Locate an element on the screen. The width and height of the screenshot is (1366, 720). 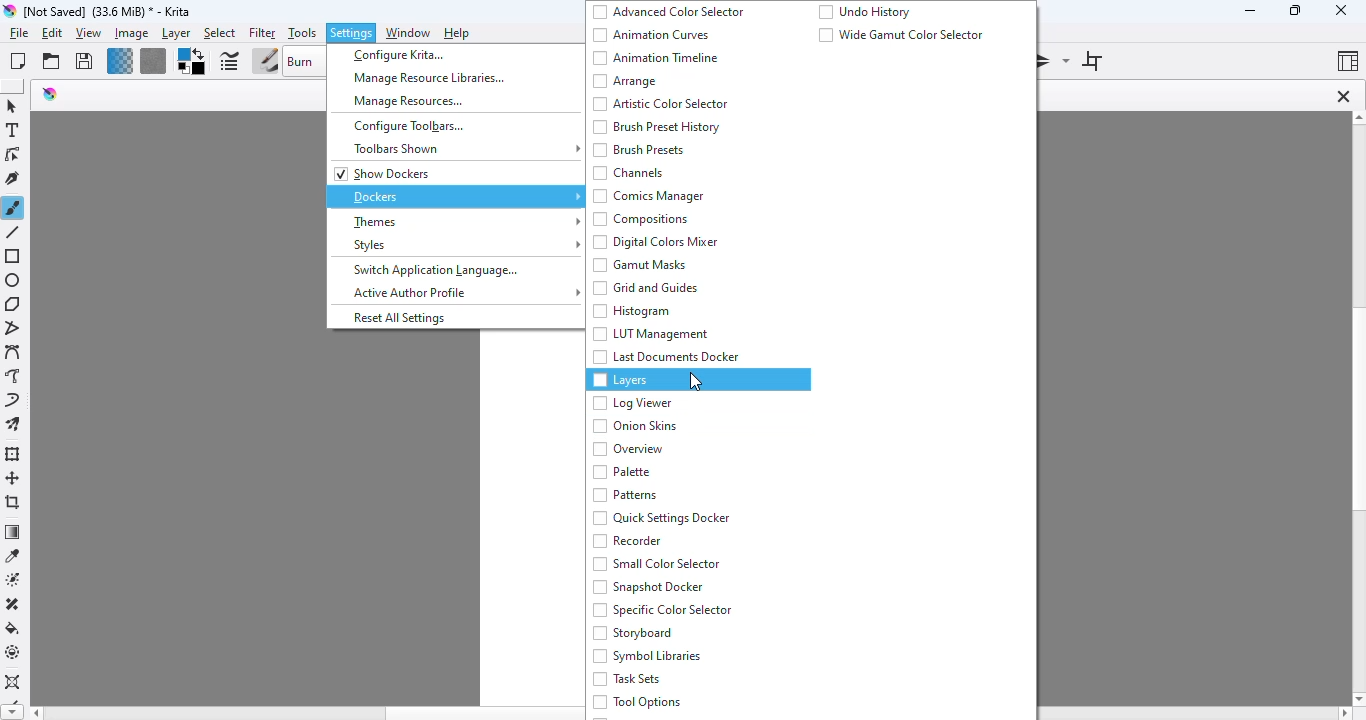
calligraphy is located at coordinates (13, 178).